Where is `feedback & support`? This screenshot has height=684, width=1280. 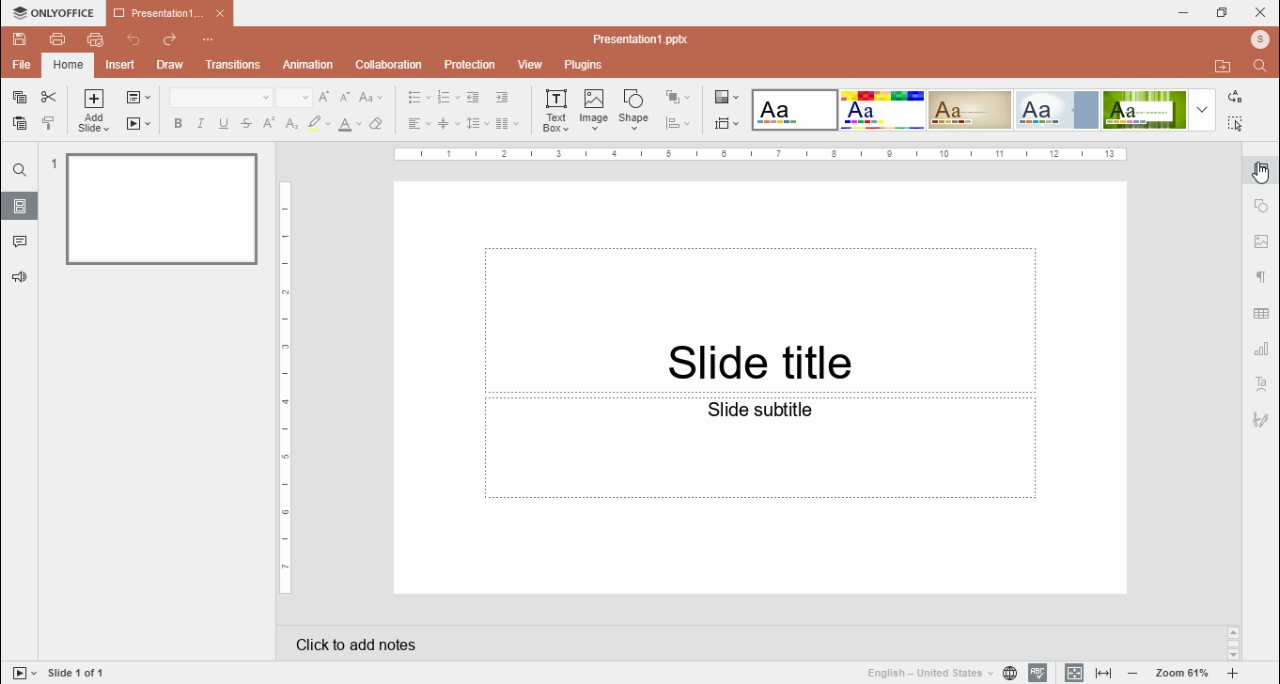
feedback & support is located at coordinates (17, 277).